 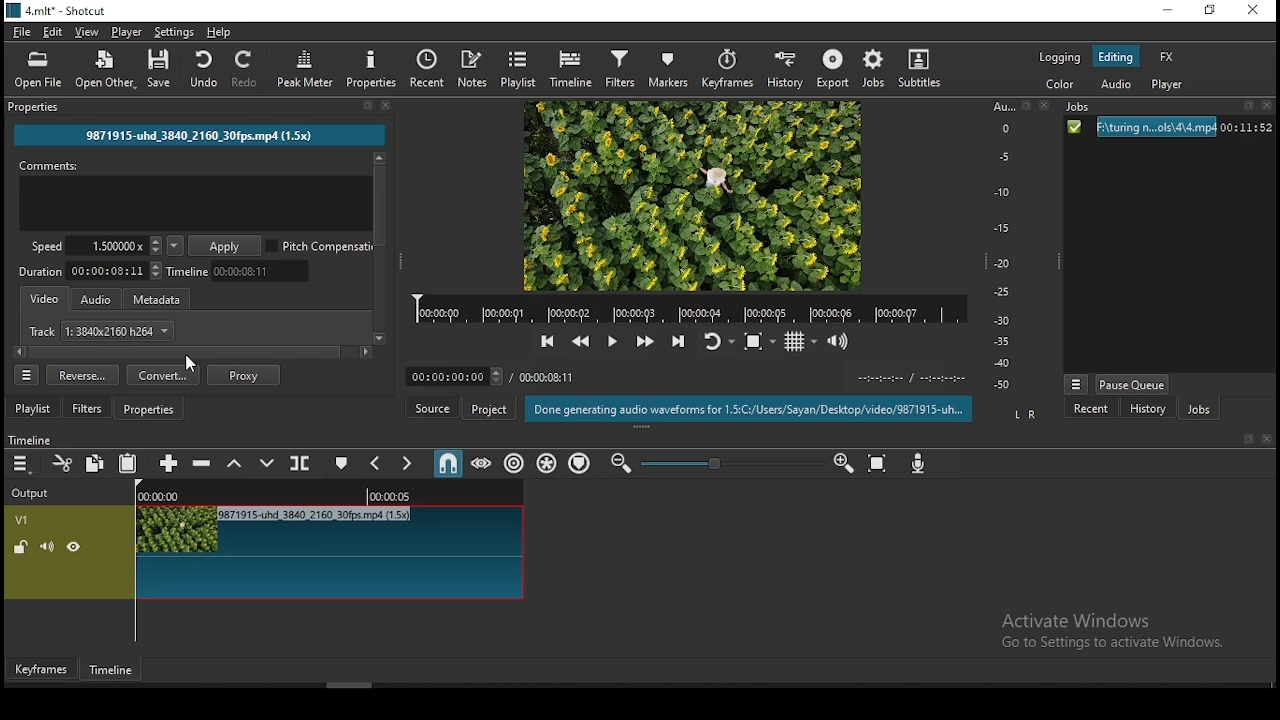 What do you see at coordinates (922, 464) in the screenshot?
I see `record audio` at bounding box center [922, 464].